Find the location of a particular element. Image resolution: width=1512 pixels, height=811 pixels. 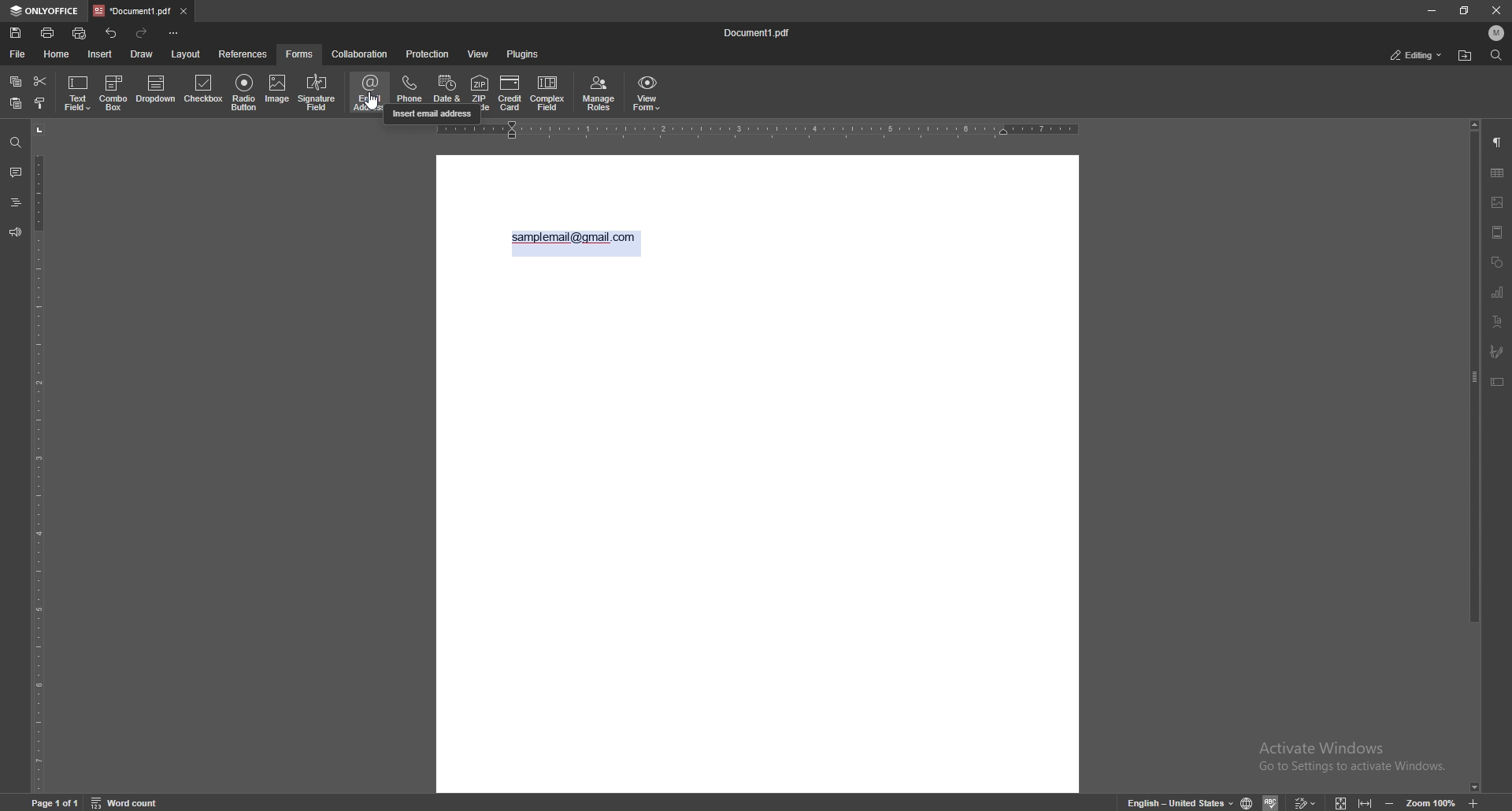

profile is located at coordinates (1497, 33).